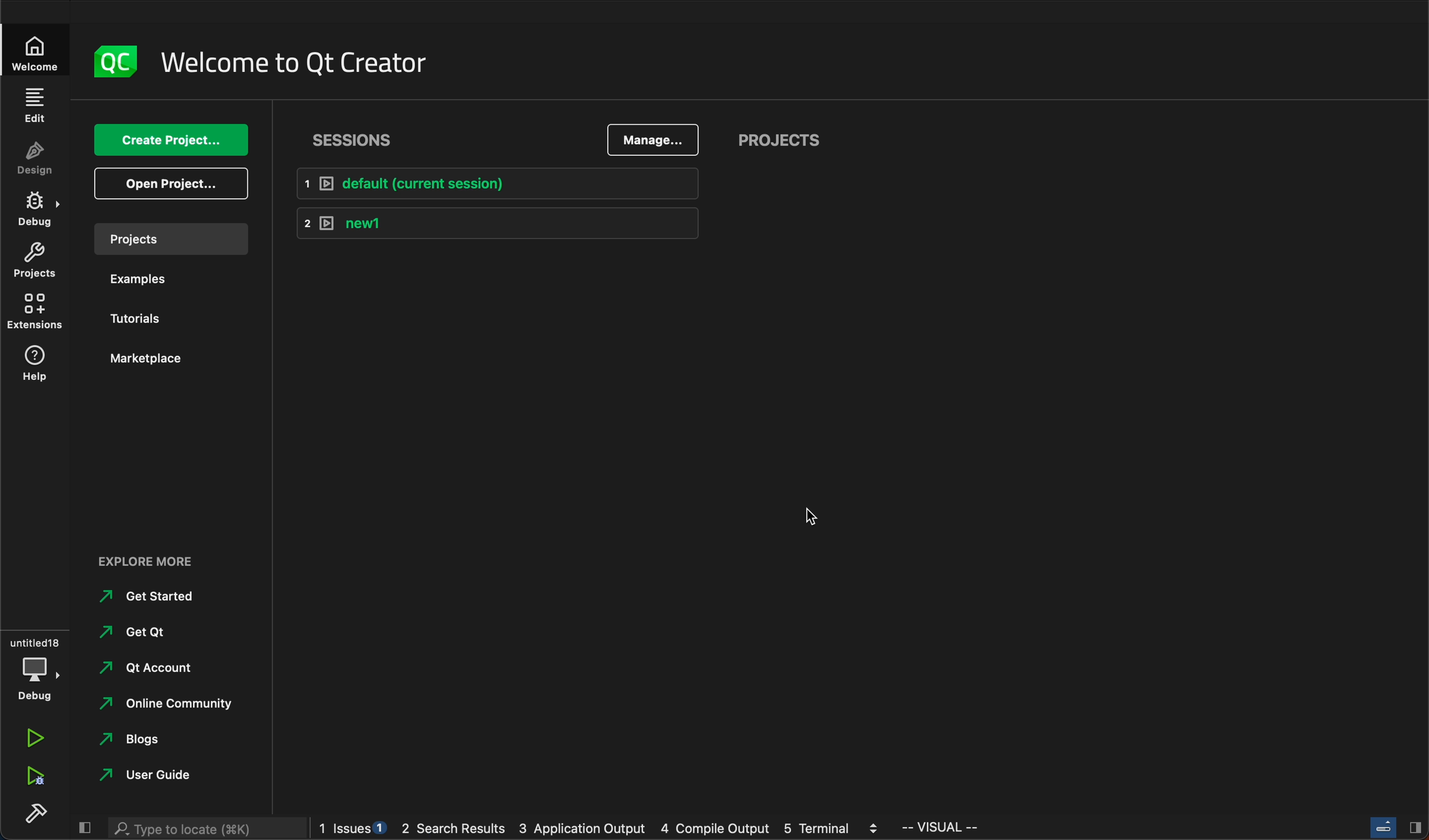 The width and height of the screenshot is (1429, 840). Describe the element at coordinates (36, 312) in the screenshot. I see `extensions` at that location.